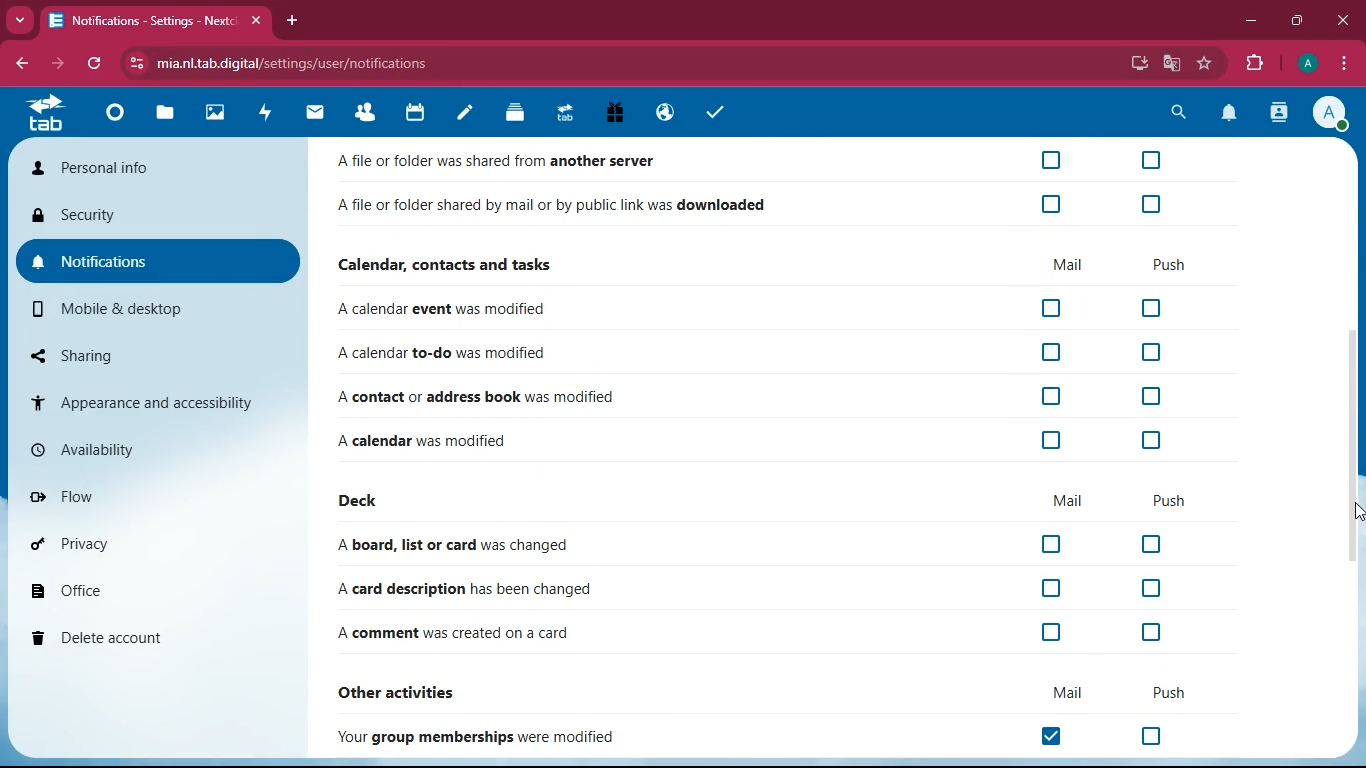 This screenshot has width=1366, height=768. What do you see at coordinates (159, 263) in the screenshot?
I see `notifications` at bounding box center [159, 263].